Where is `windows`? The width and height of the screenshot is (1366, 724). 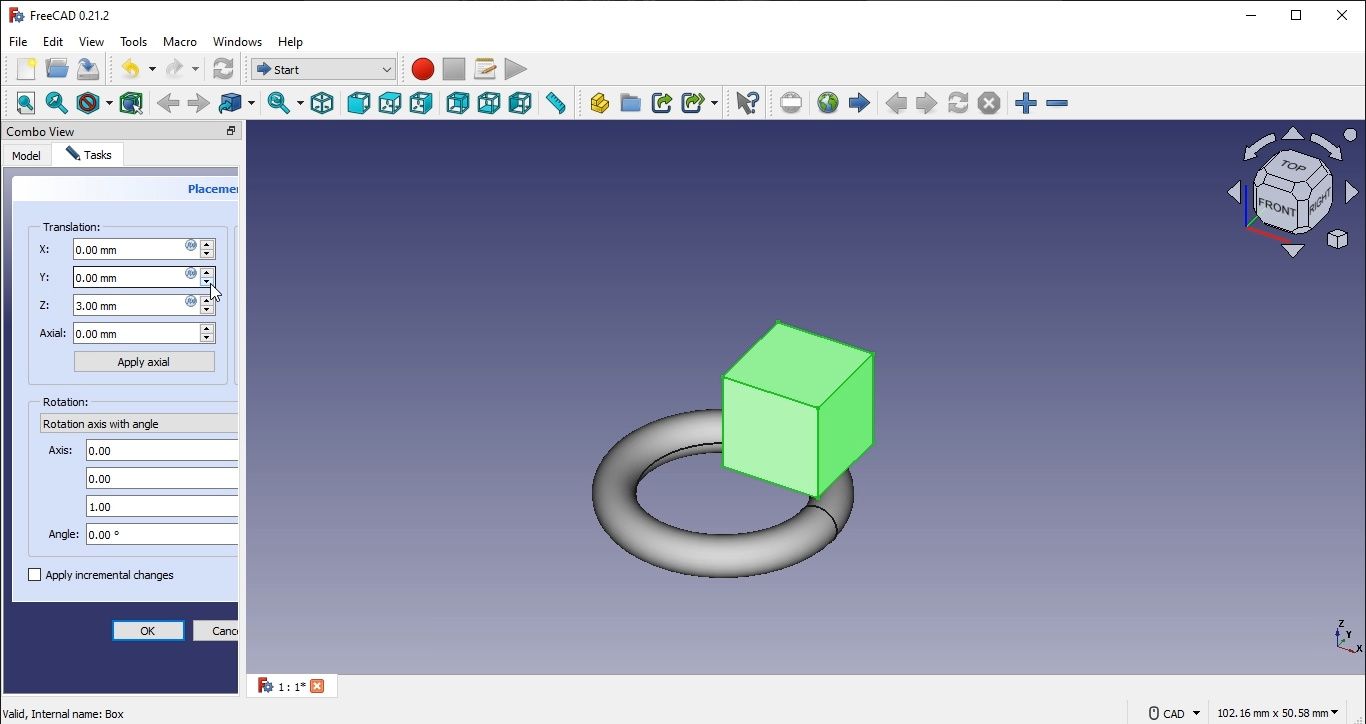 windows is located at coordinates (239, 43).